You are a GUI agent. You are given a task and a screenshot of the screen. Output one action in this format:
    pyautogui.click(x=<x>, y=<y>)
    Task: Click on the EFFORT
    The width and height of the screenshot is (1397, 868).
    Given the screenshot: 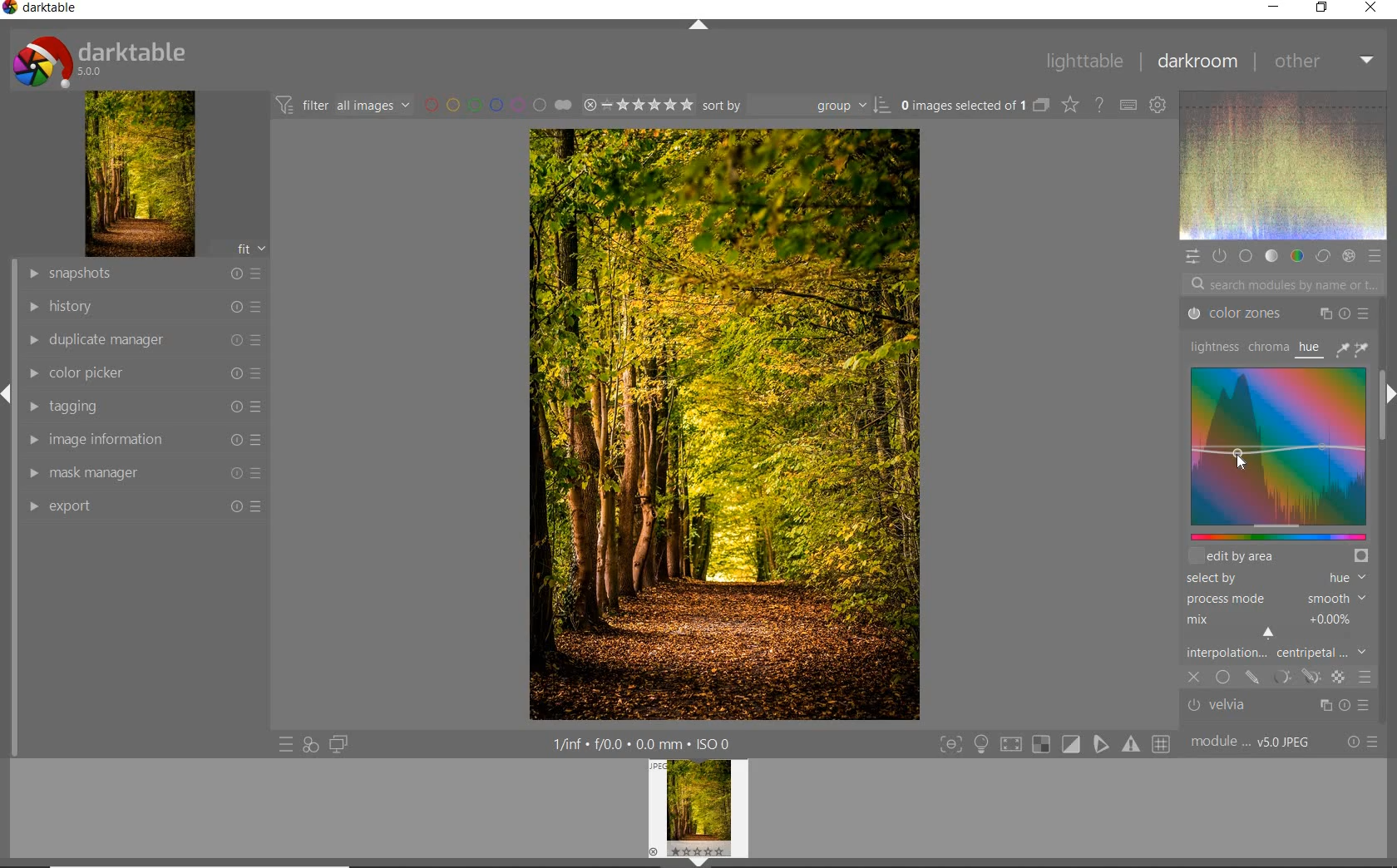 What is the action you would take?
    pyautogui.click(x=146, y=508)
    